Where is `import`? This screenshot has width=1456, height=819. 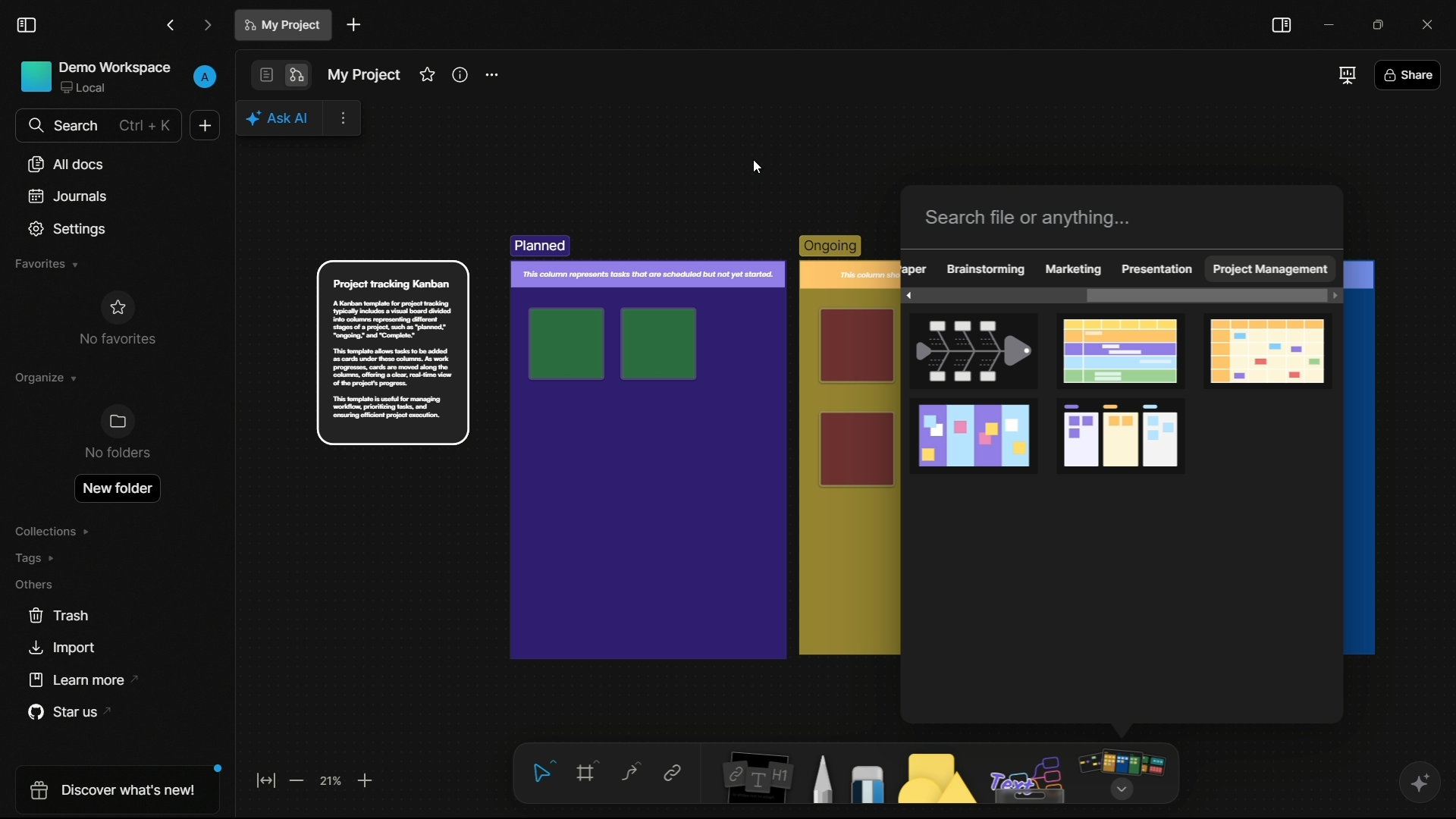
import is located at coordinates (61, 648).